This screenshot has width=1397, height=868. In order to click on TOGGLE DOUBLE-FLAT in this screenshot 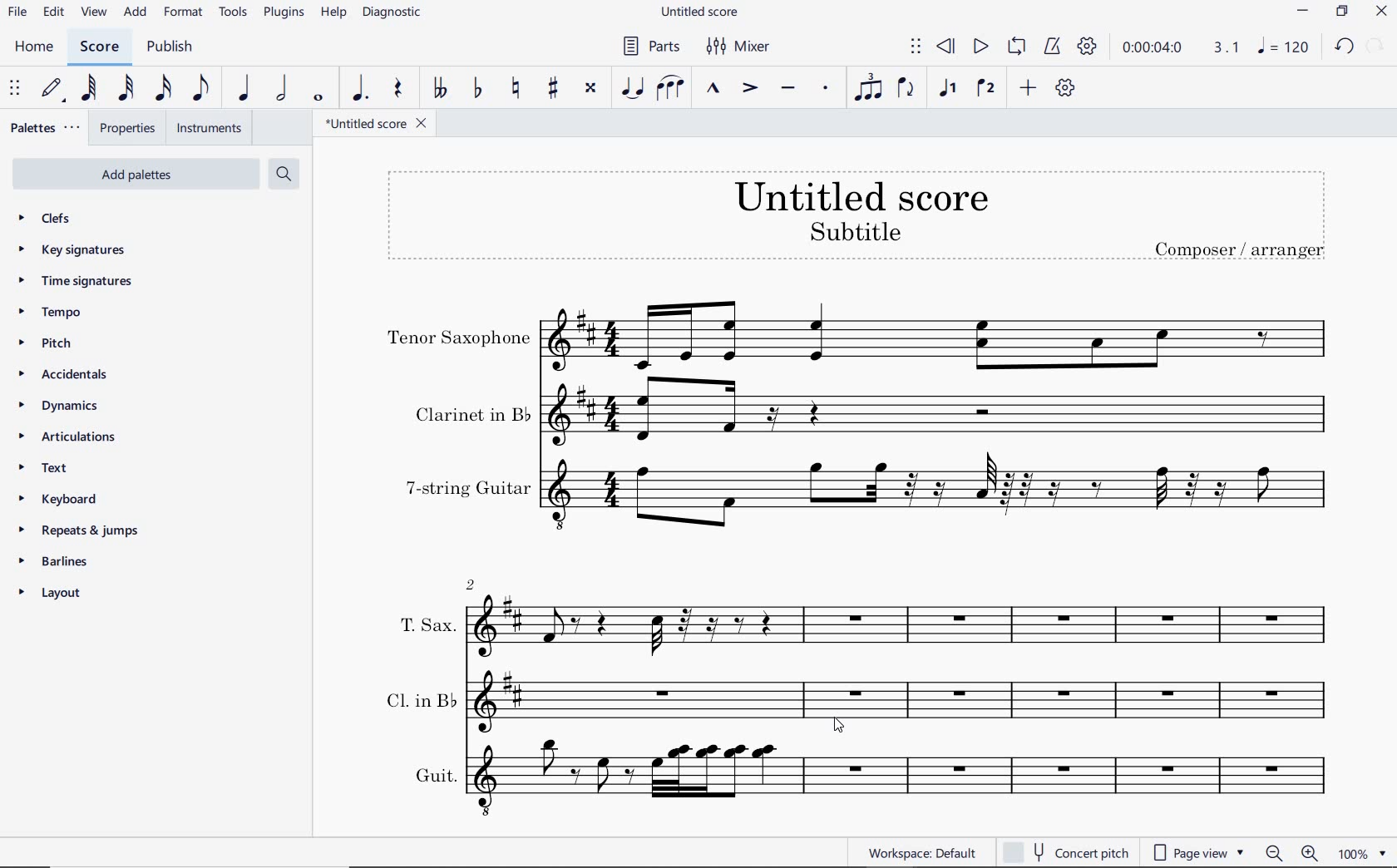, I will do `click(440, 89)`.